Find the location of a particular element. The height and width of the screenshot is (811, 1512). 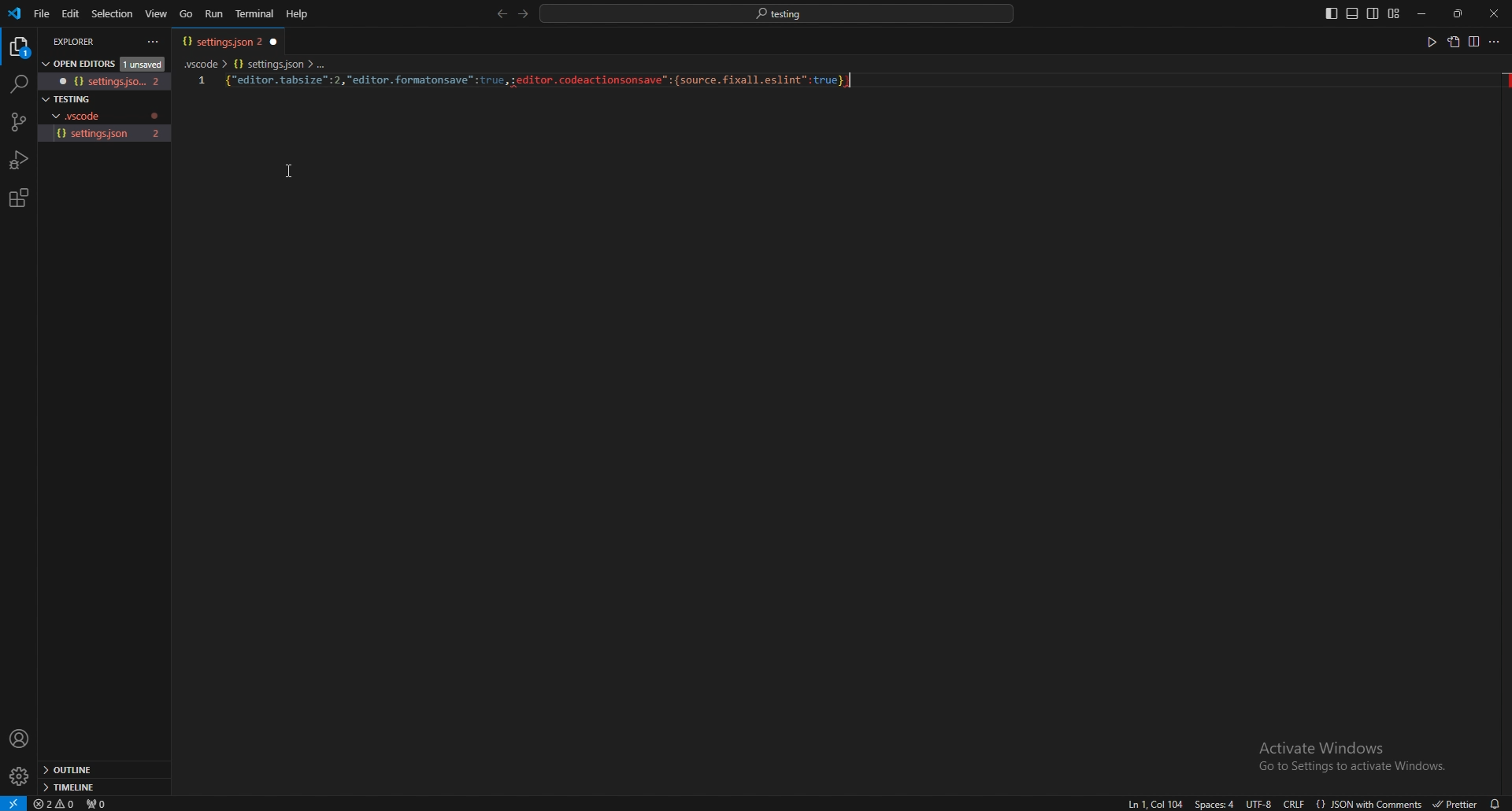

language is located at coordinates (1367, 804).